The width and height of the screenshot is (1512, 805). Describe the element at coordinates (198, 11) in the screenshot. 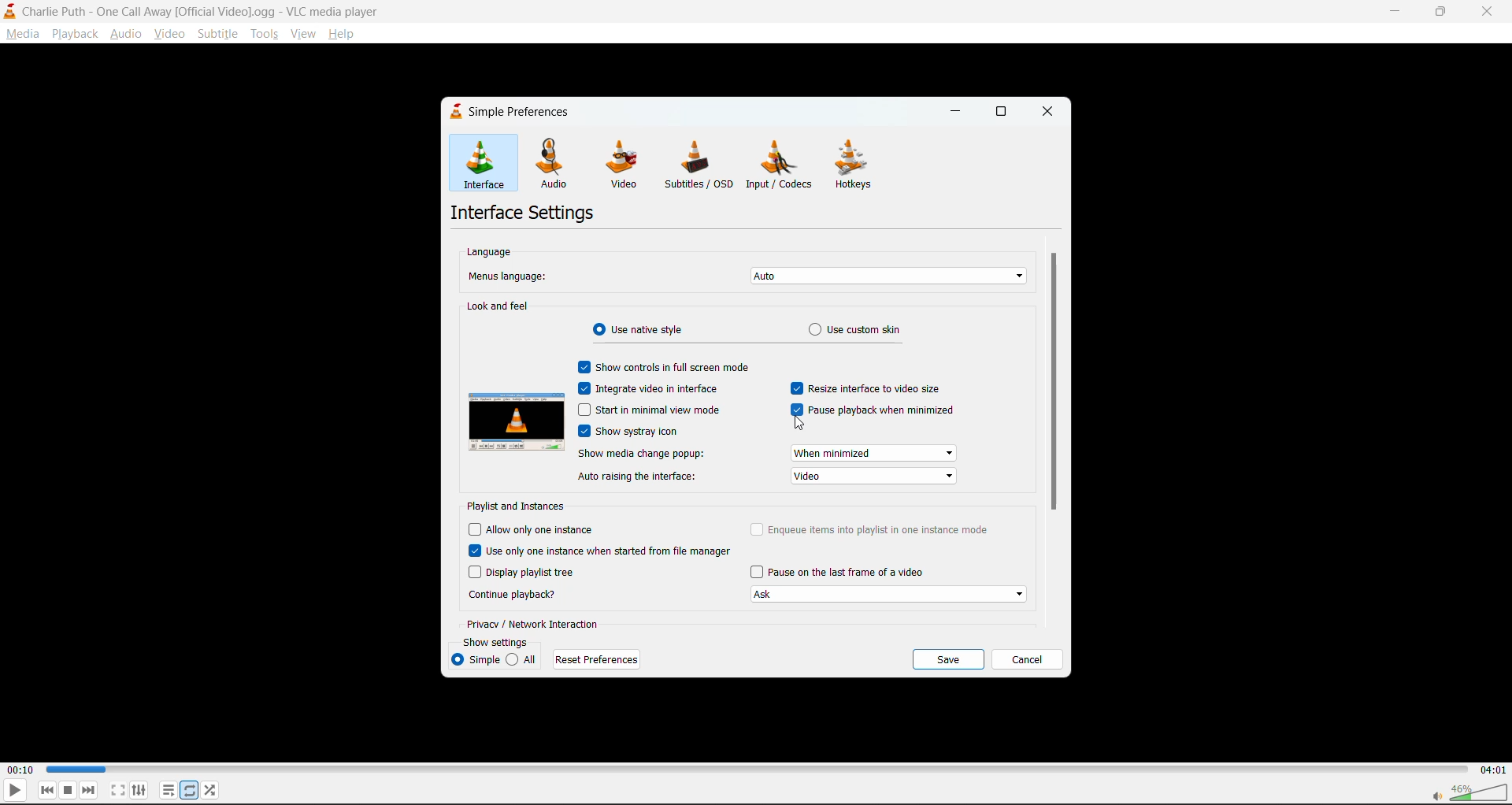

I see `Charlie Puth - One Call Away [Official Video].ogg - VLC media player` at that location.